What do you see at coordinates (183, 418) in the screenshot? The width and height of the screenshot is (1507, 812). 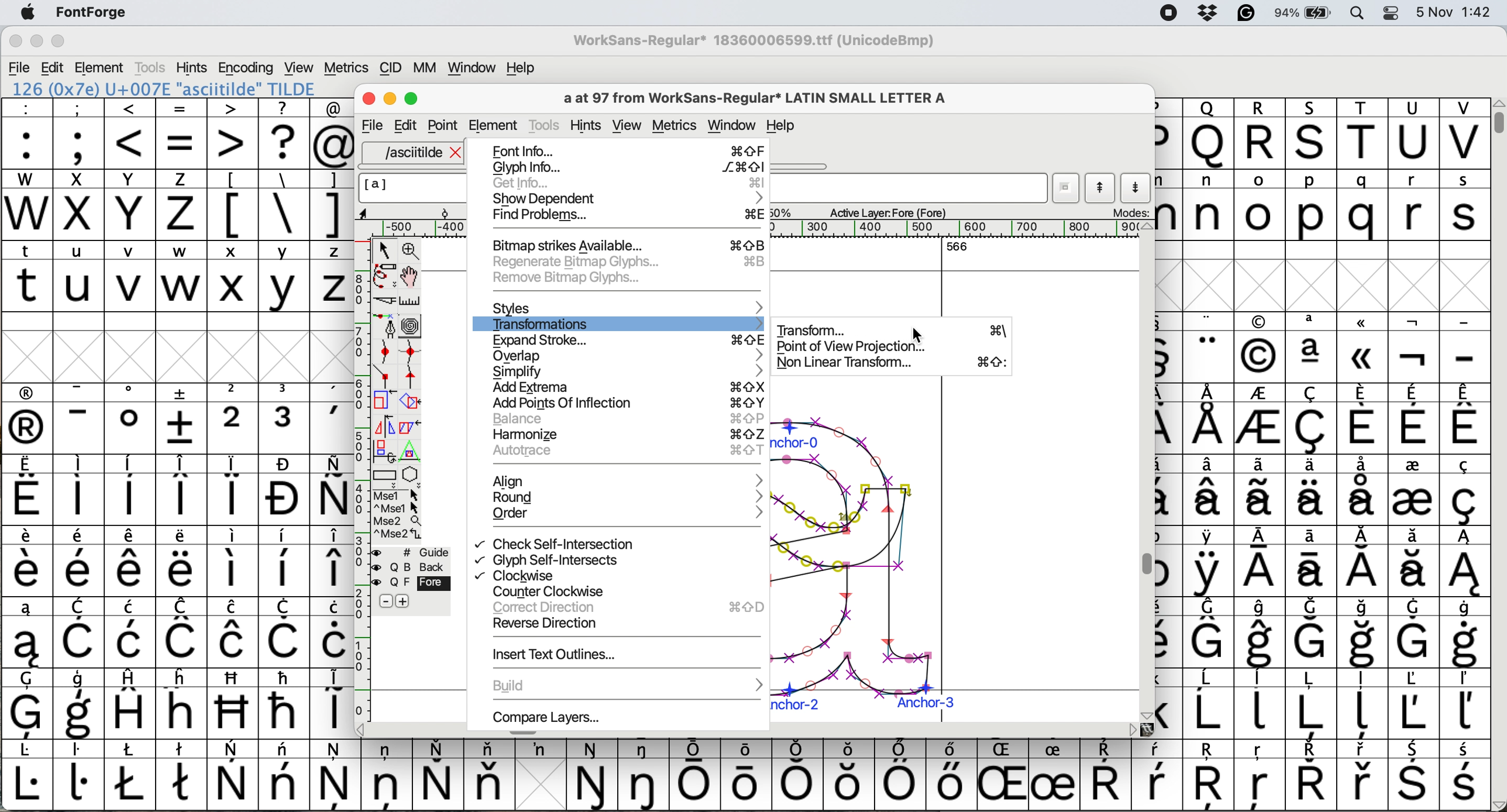 I see `symbol` at bounding box center [183, 418].